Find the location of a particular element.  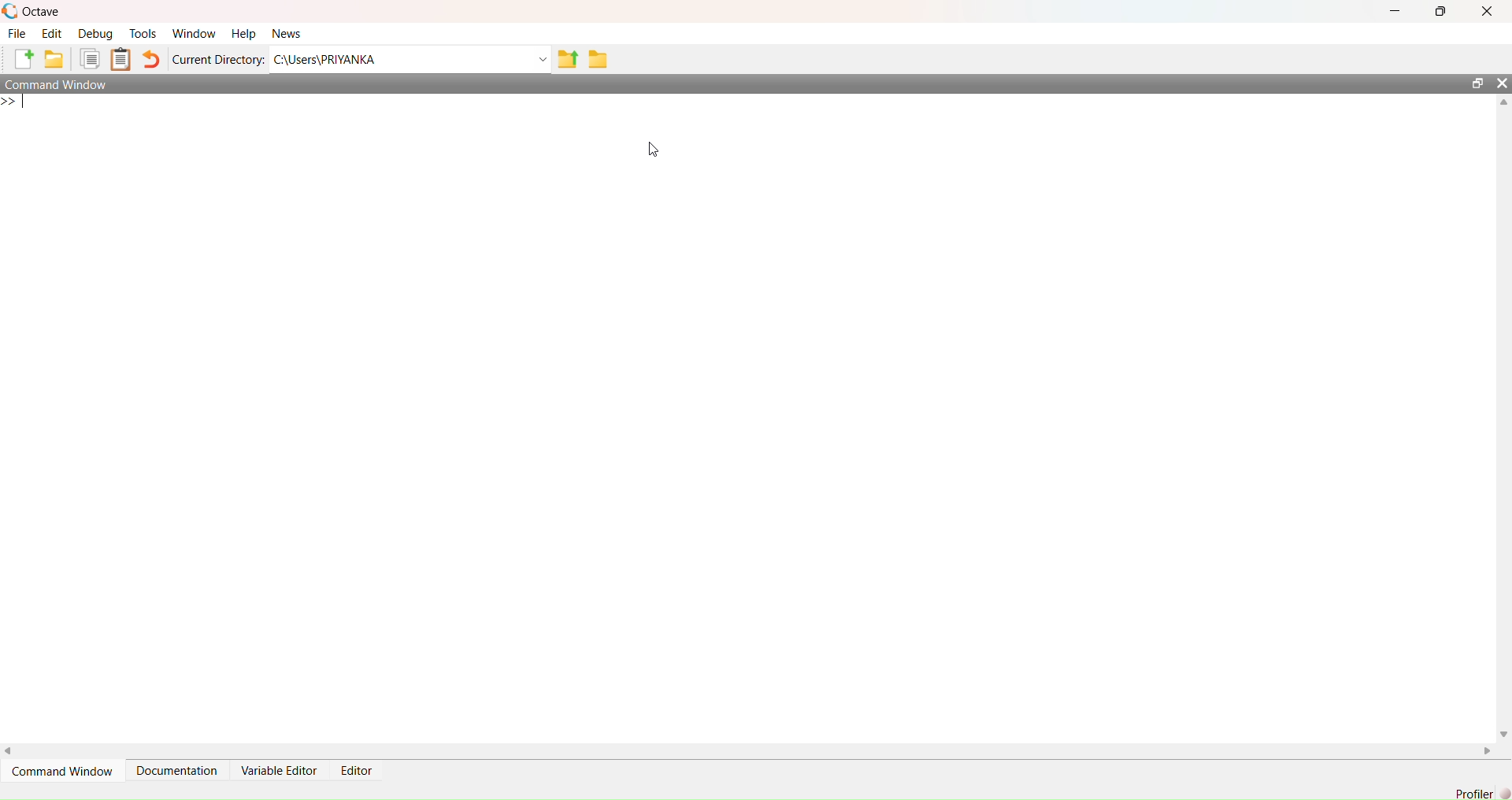

Copy is located at coordinates (90, 58).